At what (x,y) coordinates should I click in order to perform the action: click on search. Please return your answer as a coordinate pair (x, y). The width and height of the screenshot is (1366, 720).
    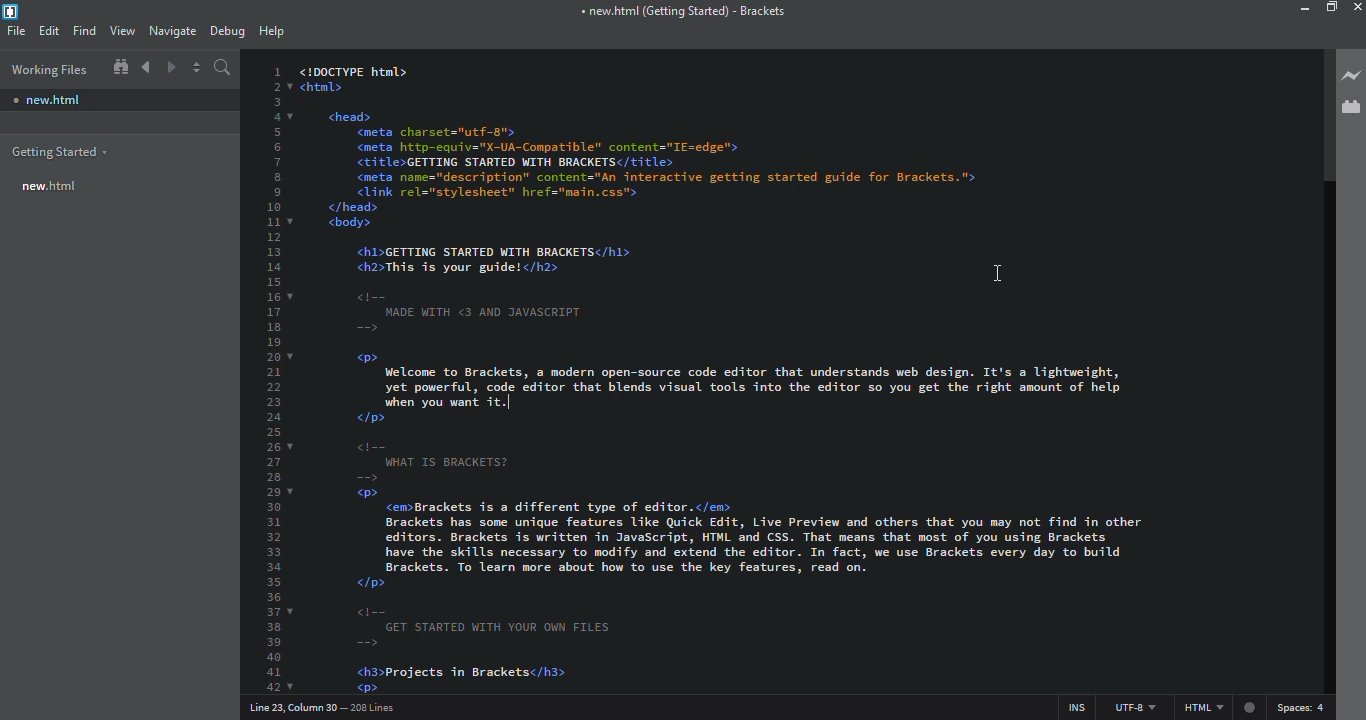
    Looking at the image, I should click on (223, 67).